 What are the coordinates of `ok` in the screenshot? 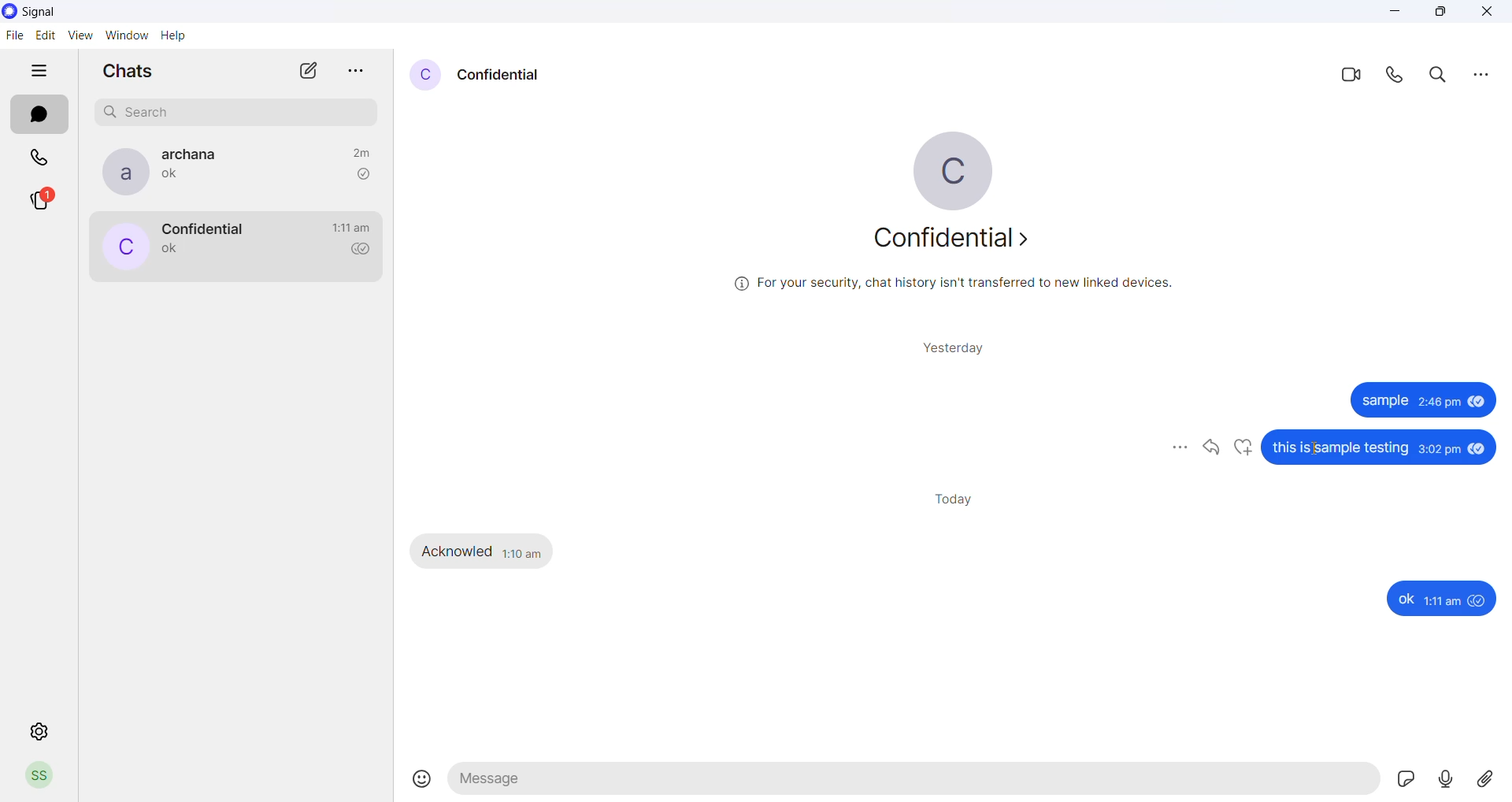 It's located at (1405, 600).